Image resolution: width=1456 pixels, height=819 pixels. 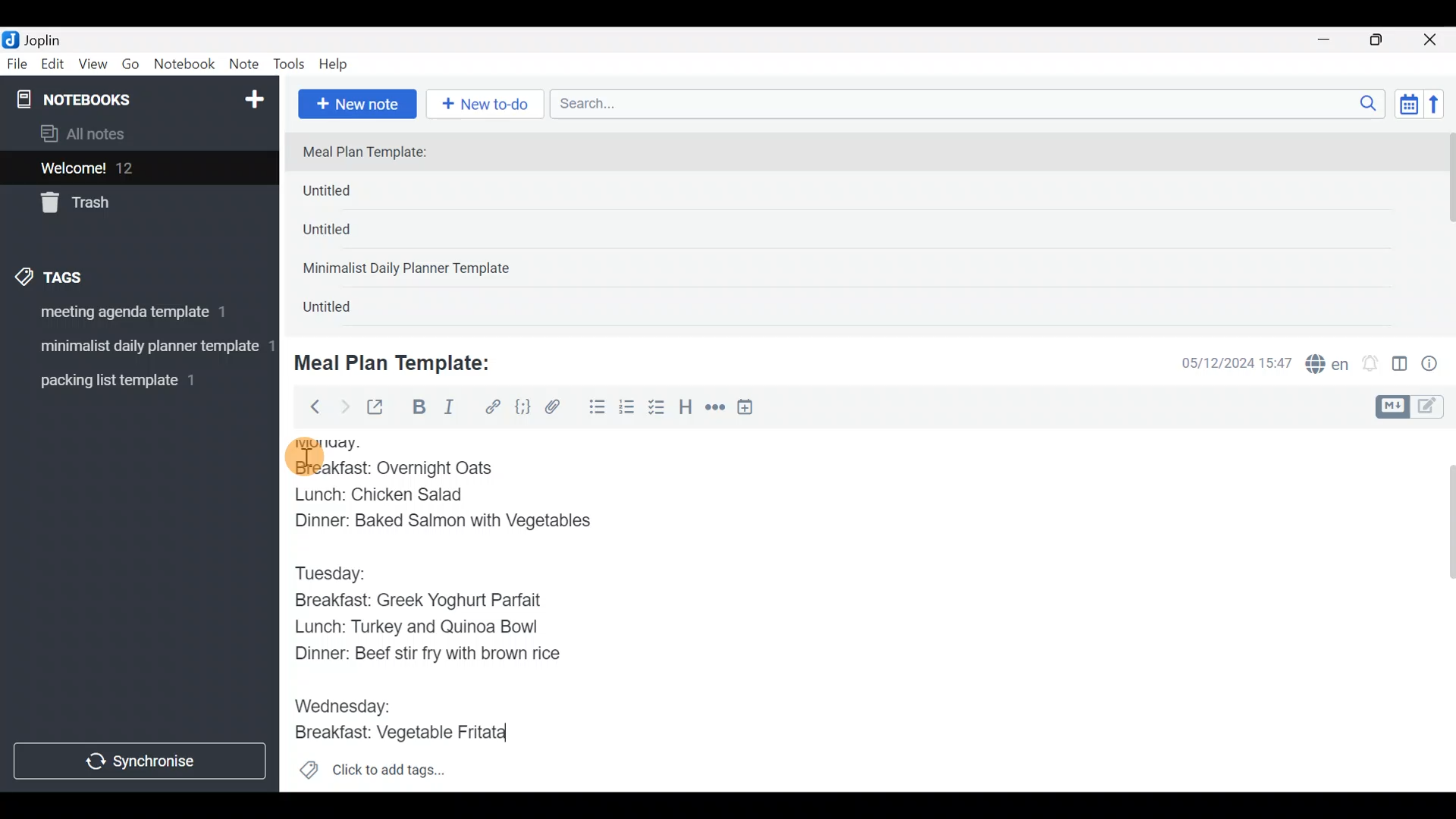 I want to click on Attach file, so click(x=557, y=409).